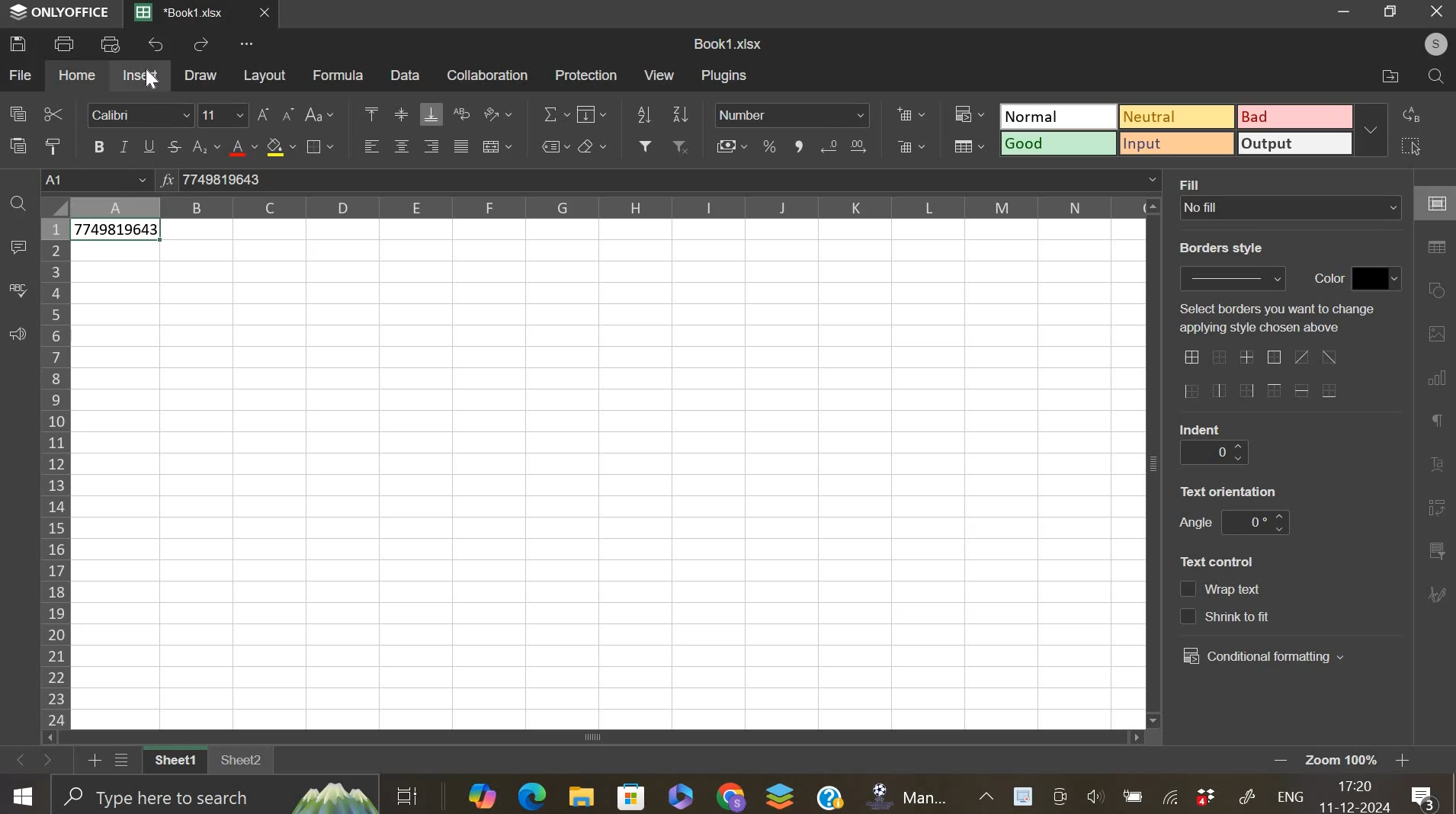 The height and width of the screenshot is (814, 1456). Describe the element at coordinates (591, 146) in the screenshot. I see `clear` at that location.